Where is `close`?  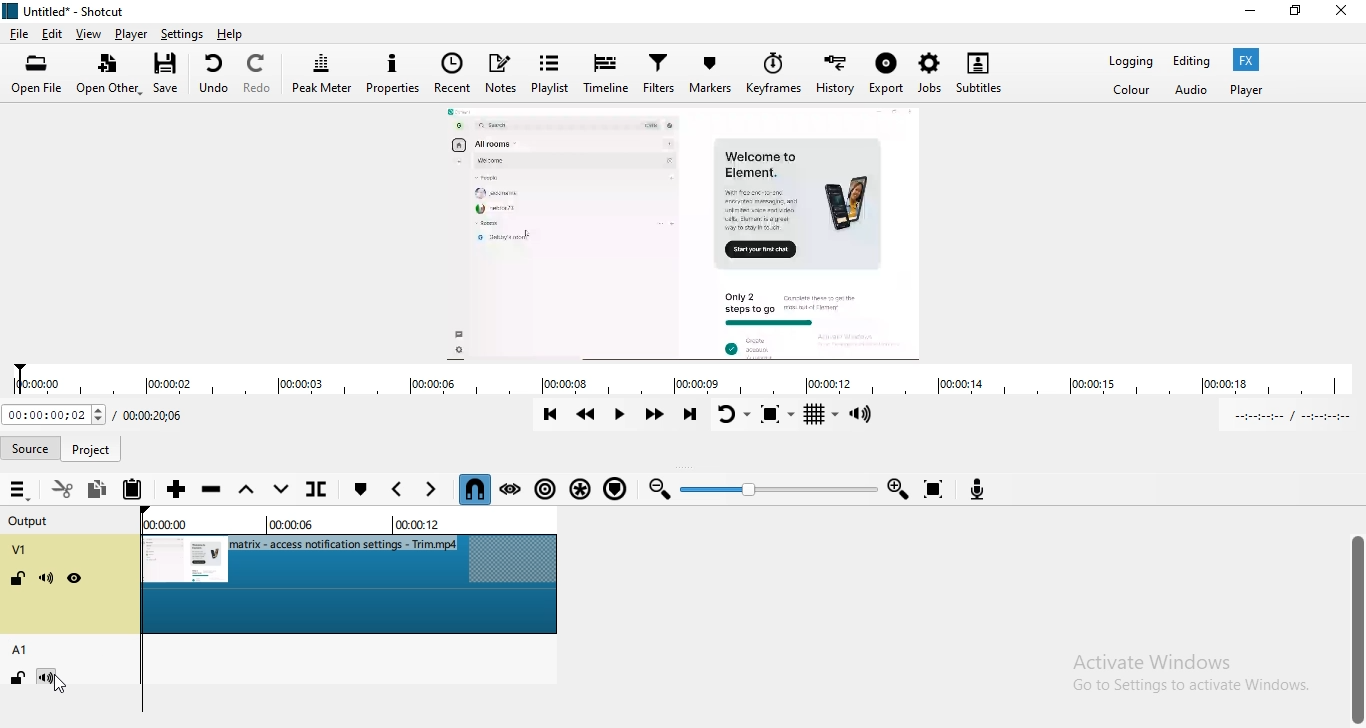
close is located at coordinates (1345, 15).